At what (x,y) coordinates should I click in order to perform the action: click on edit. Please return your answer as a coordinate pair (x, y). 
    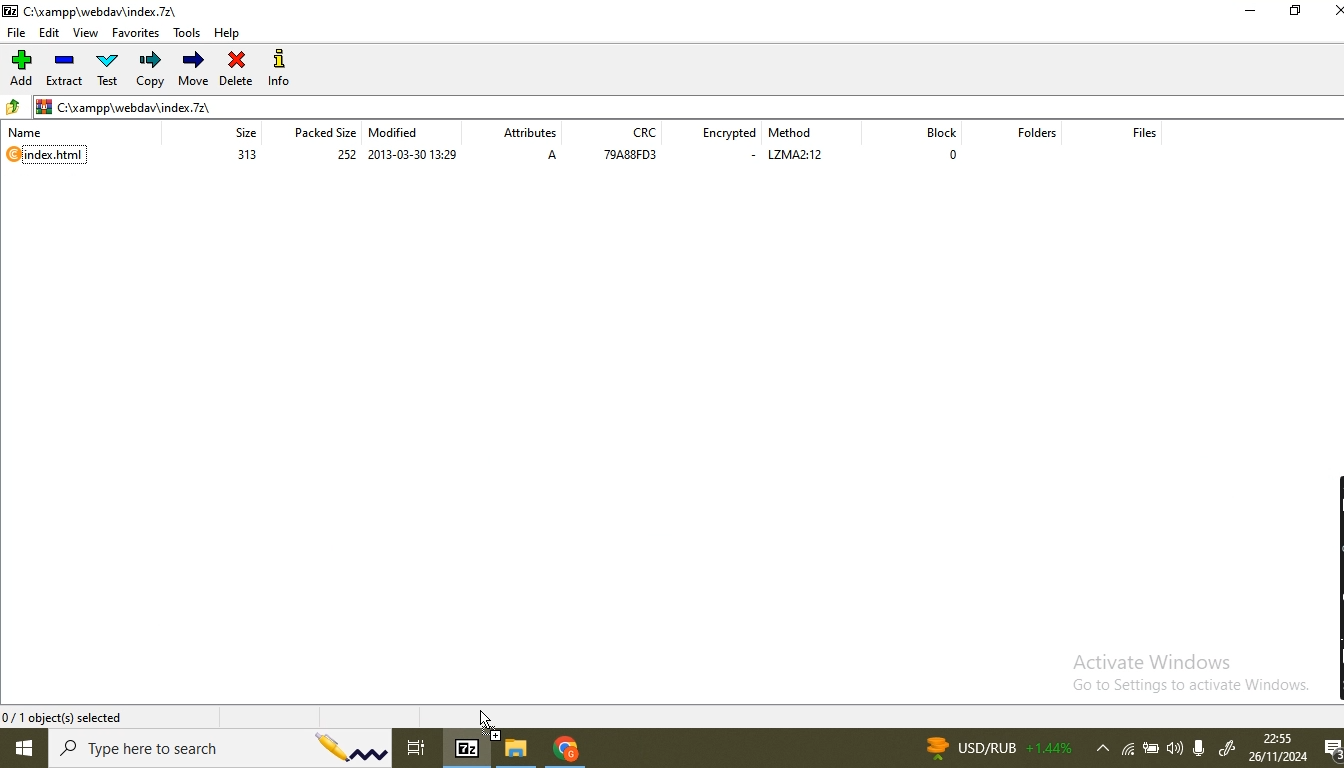
    Looking at the image, I should click on (54, 33).